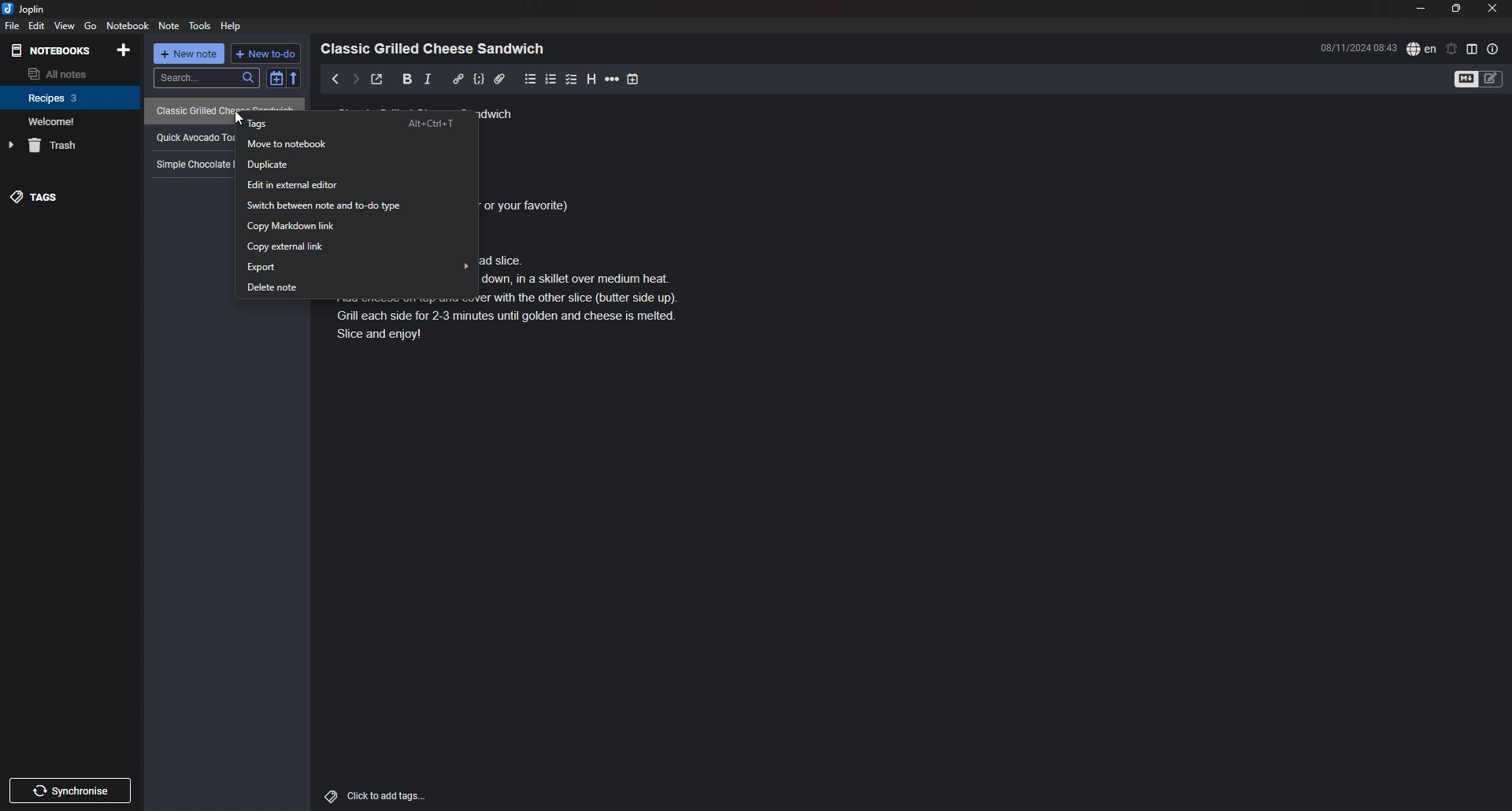 Image resolution: width=1512 pixels, height=811 pixels. What do you see at coordinates (1473, 49) in the screenshot?
I see `toggle editor layout` at bounding box center [1473, 49].